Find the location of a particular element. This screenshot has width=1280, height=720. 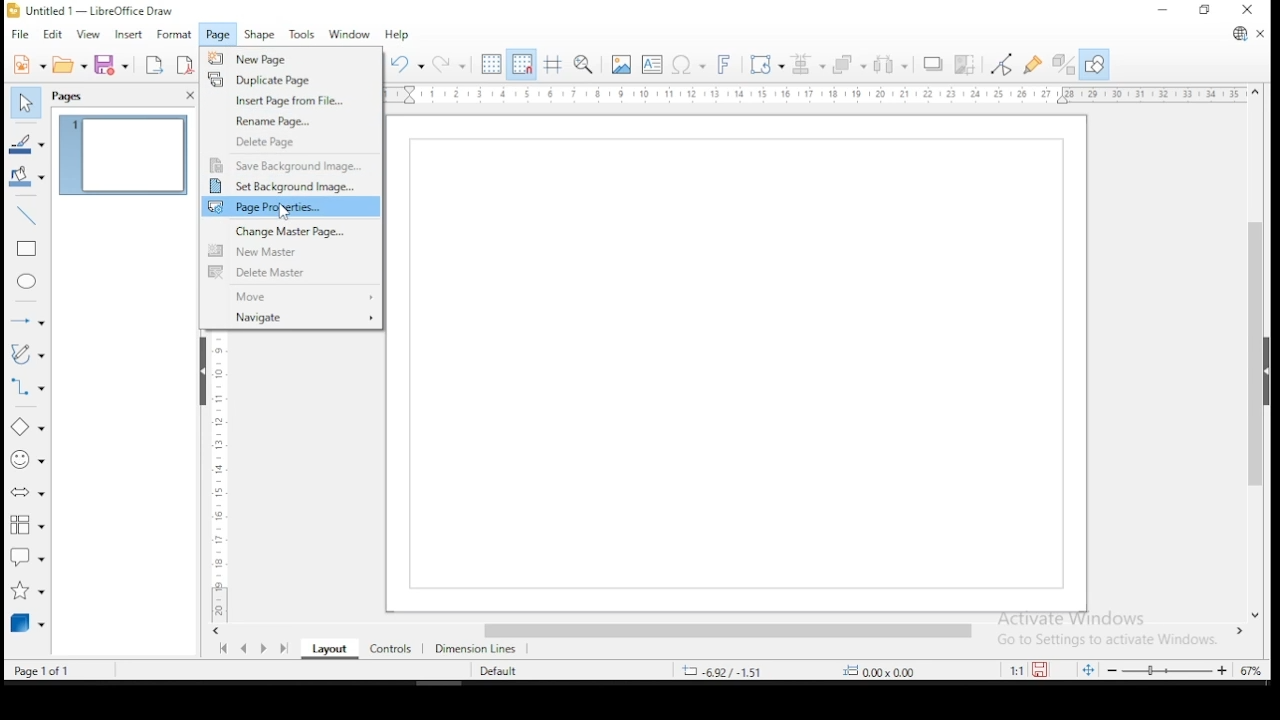

export as pdf is located at coordinates (183, 66).